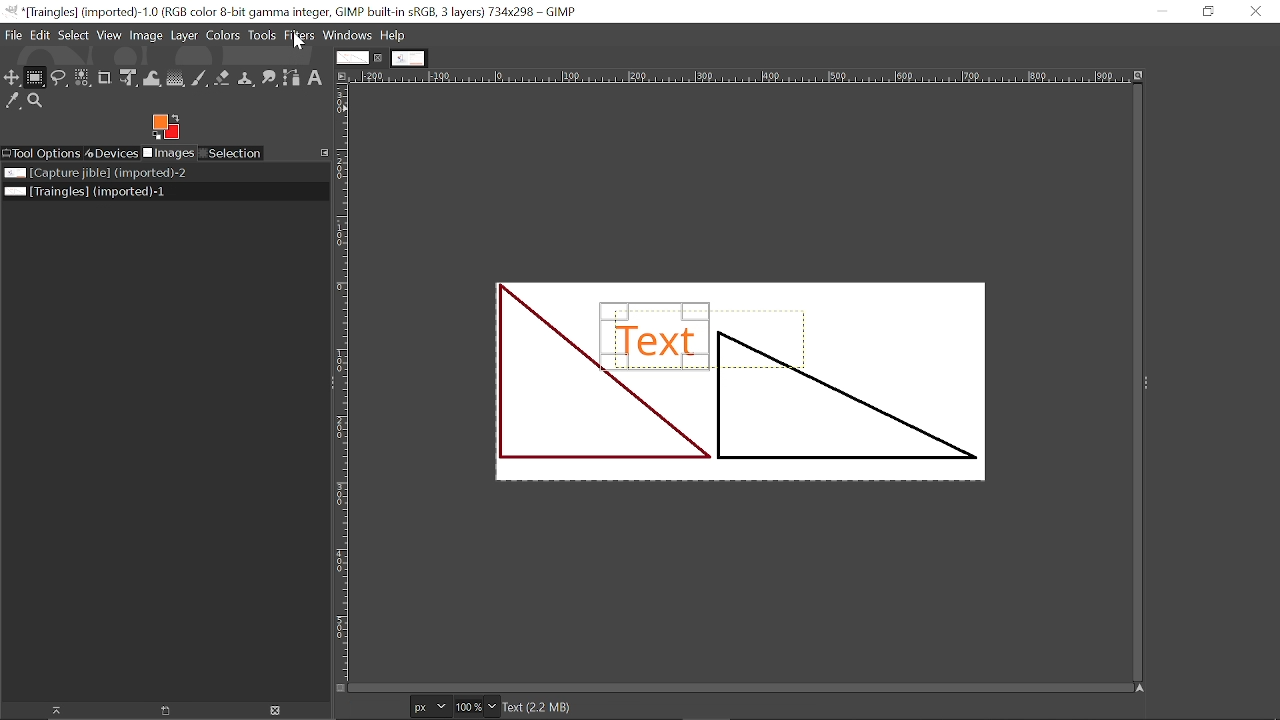 This screenshot has width=1280, height=720. What do you see at coordinates (1254, 14) in the screenshot?
I see `Close` at bounding box center [1254, 14].